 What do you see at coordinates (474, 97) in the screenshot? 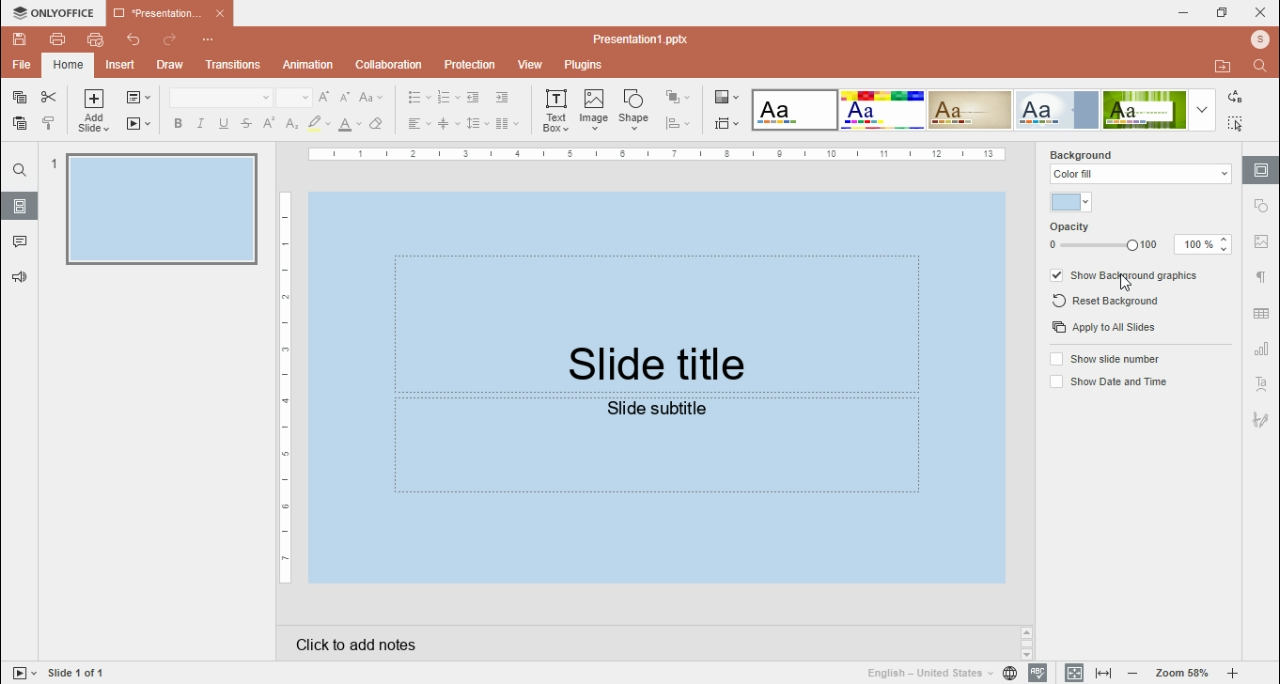
I see `decrease indent` at bounding box center [474, 97].